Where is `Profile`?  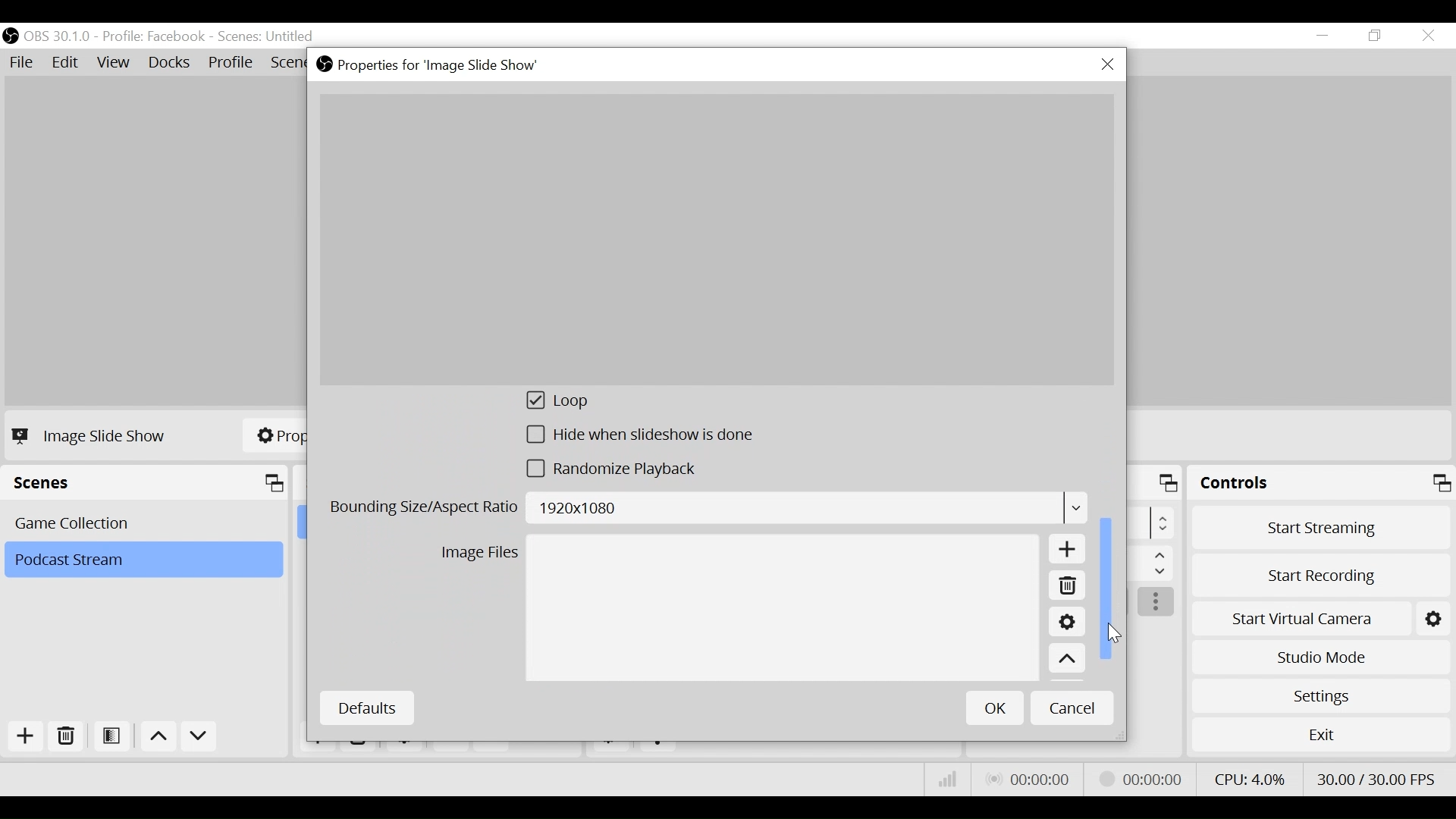
Profile is located at coordinates (231, 64).